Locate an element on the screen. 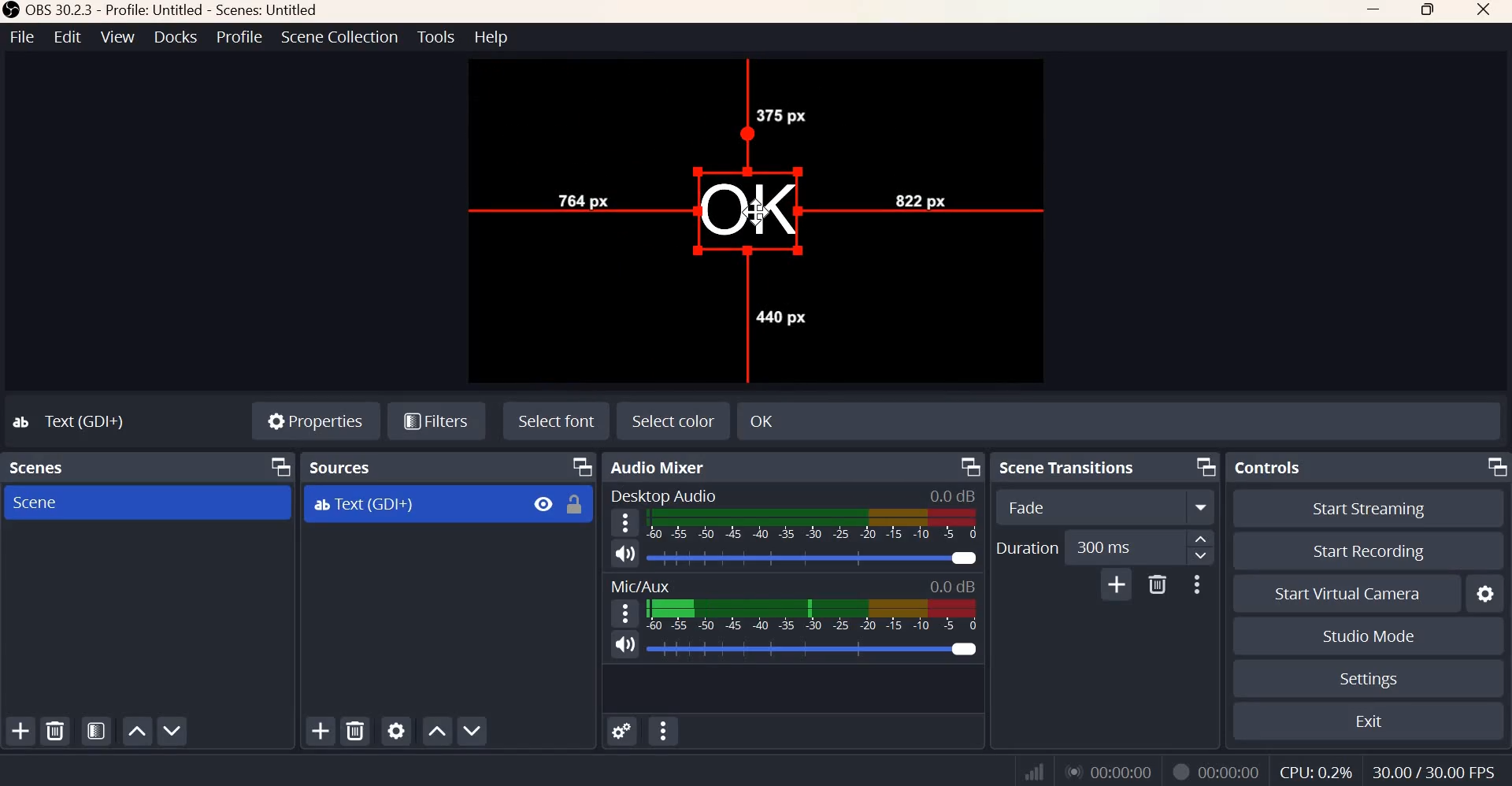 This screenshot has height=786, width=1512. Settings is located at coordinates (1368, 679).